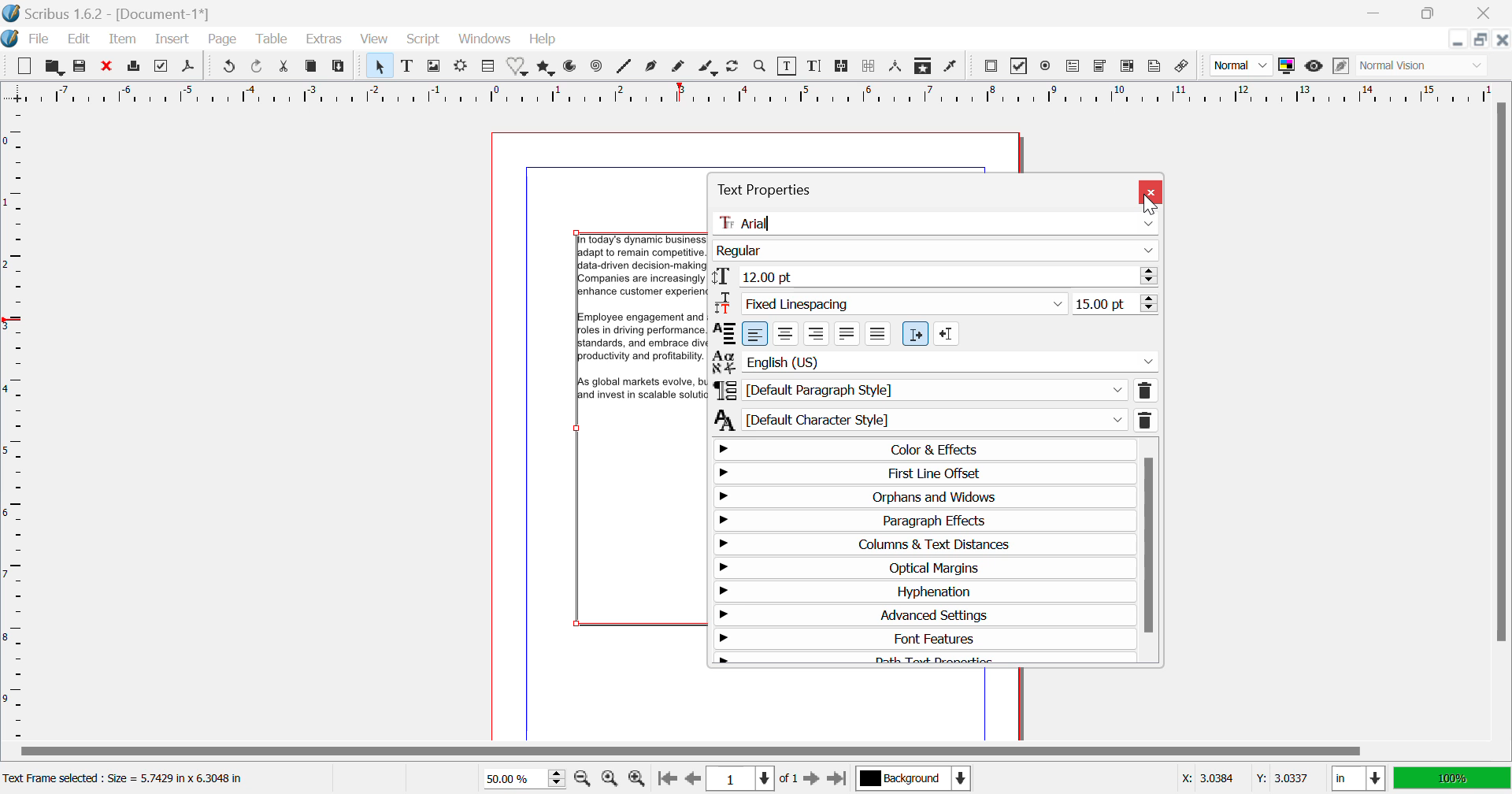  What do you see at coordinates (110, 13) in the screenshot?
I see `Scribus 1.62 - [Document 1*]` at bounding box center [110, 13].